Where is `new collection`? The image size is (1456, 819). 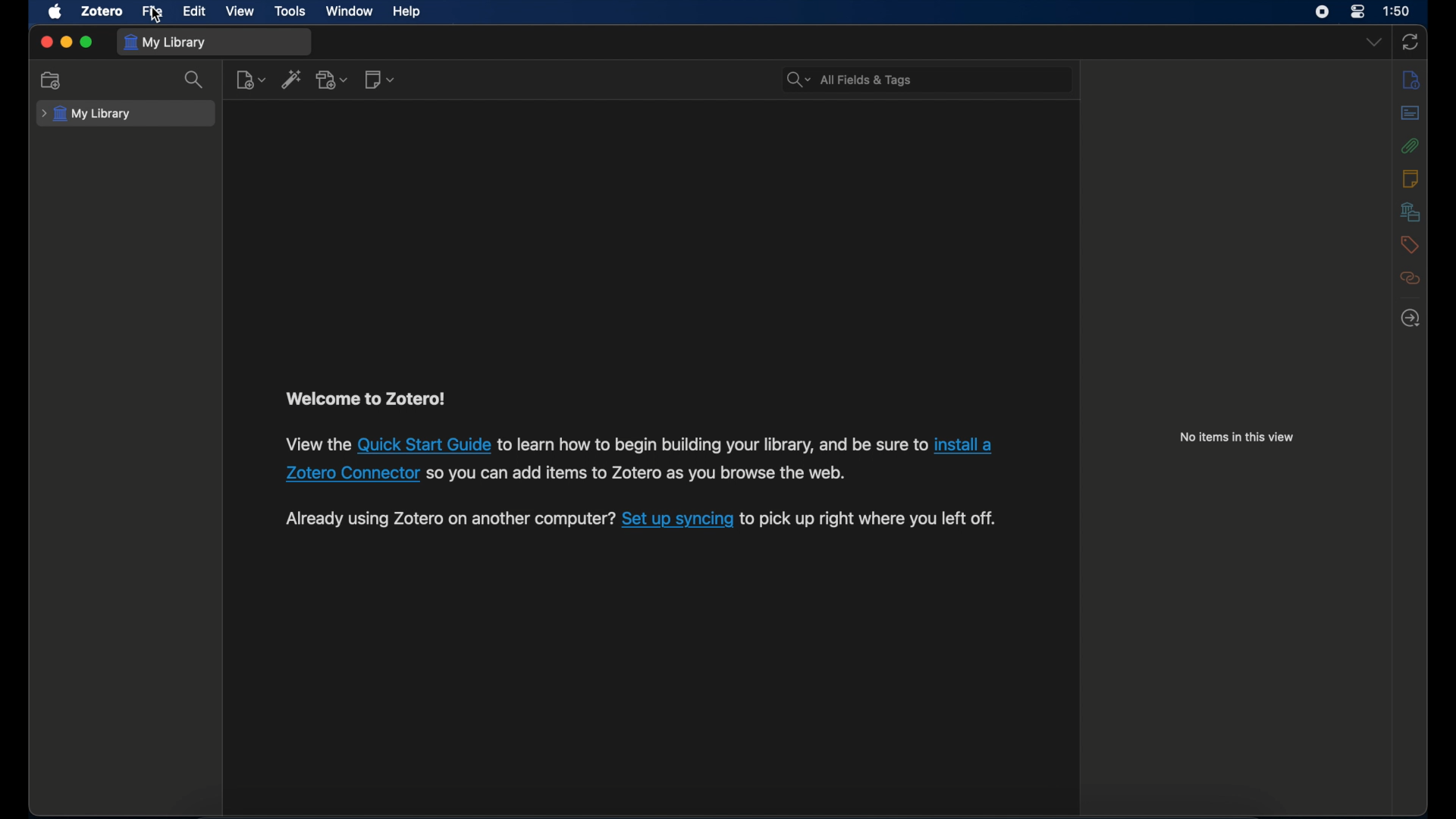
new collection is located at coordinates (51, 80).